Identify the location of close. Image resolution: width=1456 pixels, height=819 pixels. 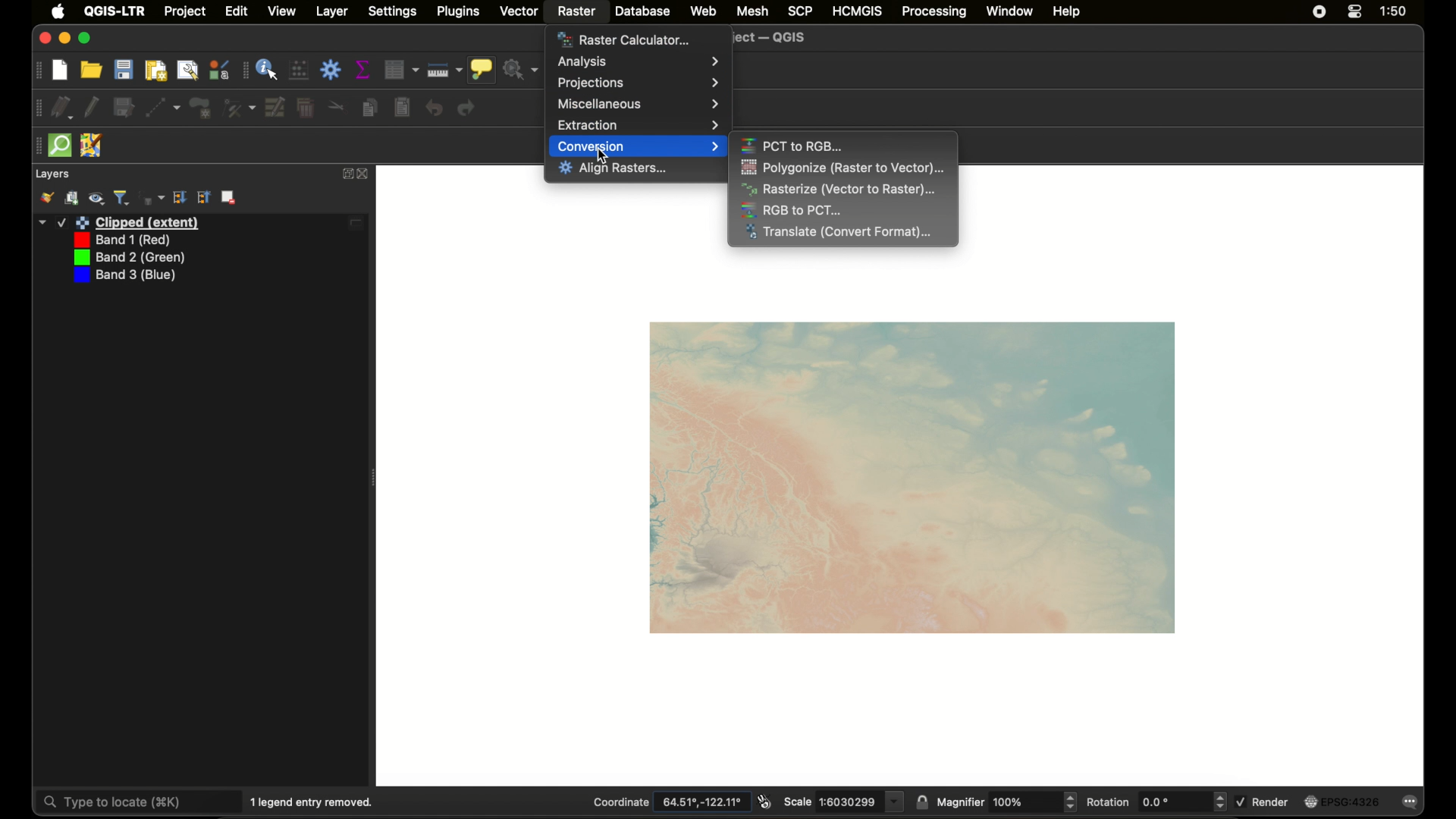
(366, 174).